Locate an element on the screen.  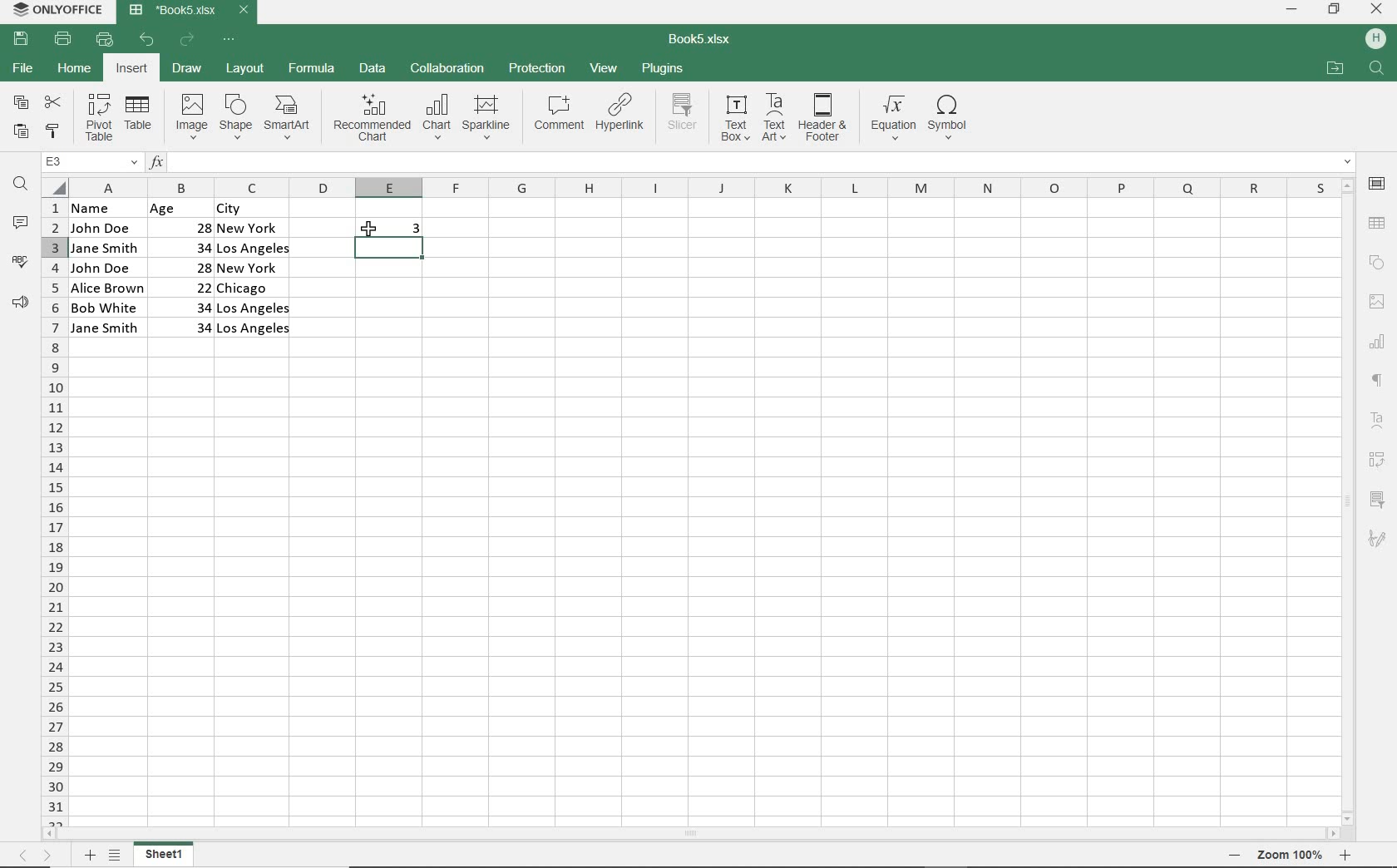
SYSTEM NAME is located at coordinates (60, 9).